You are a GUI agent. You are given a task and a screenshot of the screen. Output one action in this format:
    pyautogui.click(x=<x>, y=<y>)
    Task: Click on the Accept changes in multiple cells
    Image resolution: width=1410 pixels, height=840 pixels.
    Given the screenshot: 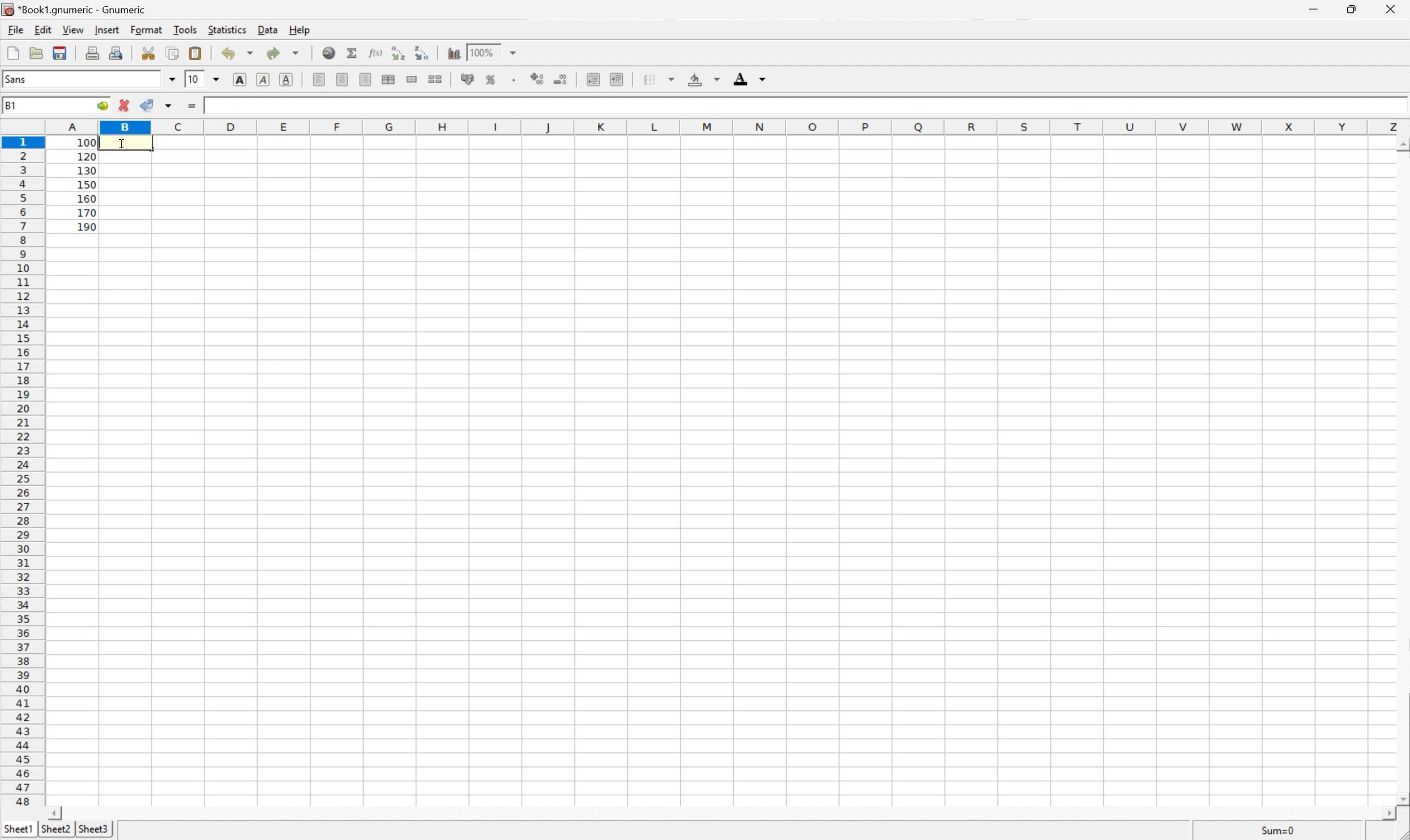 What is the action you would take?
    pyautogui.click(x=168, y=106)
    